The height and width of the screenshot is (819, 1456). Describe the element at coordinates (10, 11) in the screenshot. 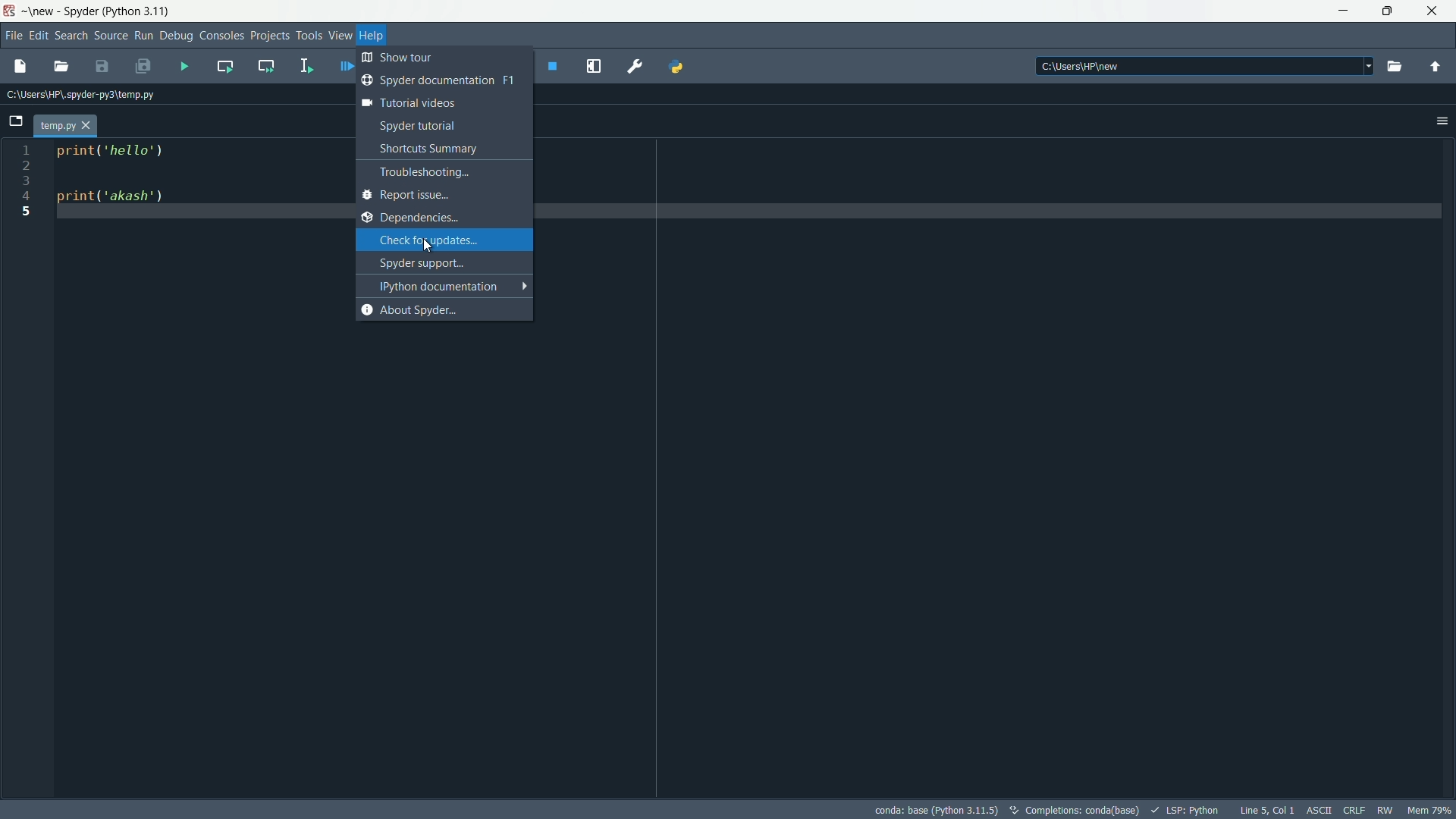

I see `app icon` at that location.